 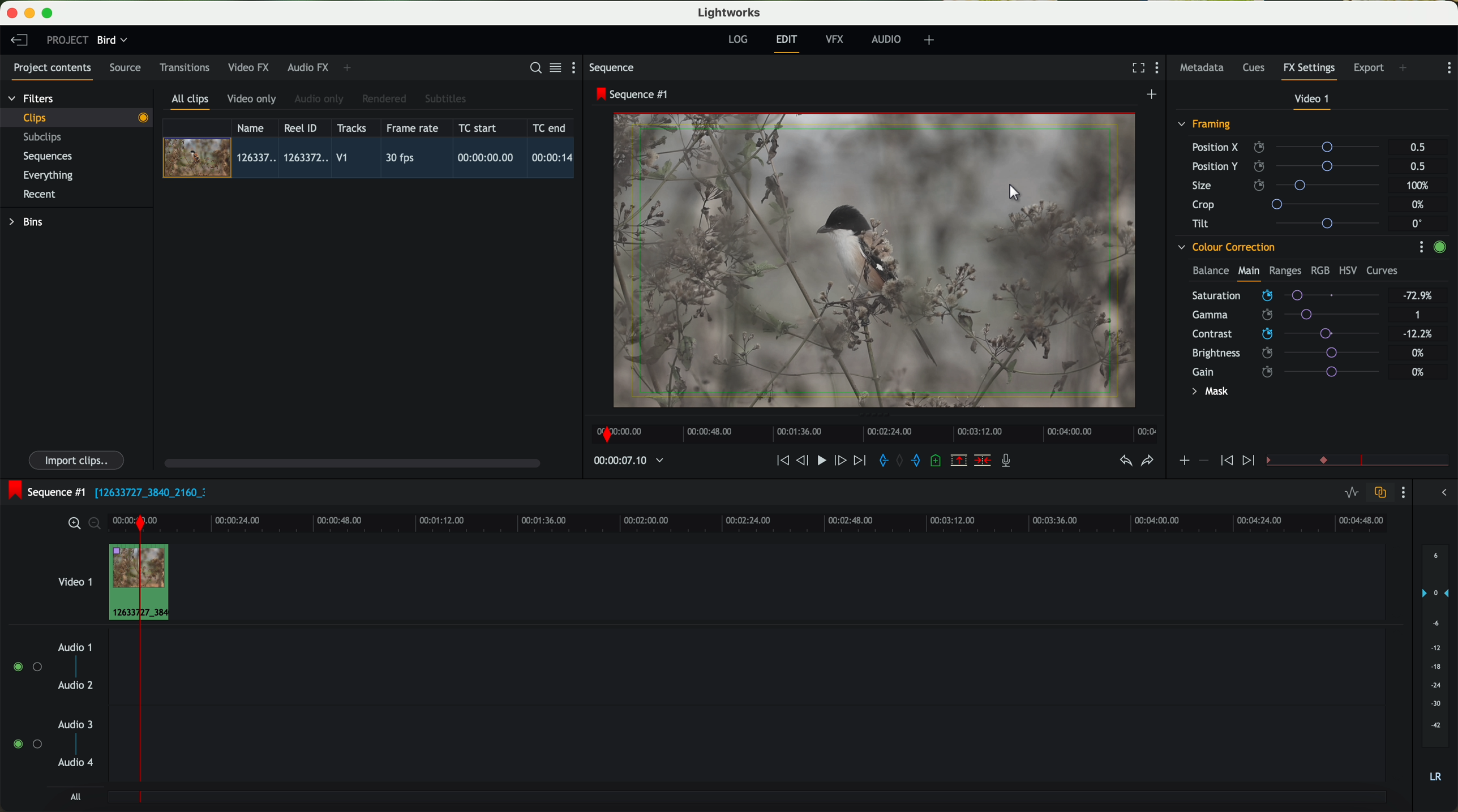 What do you see at coordinates (45, 138) in the screenshot?
I see `subclips` at bounding box center [45, 138].